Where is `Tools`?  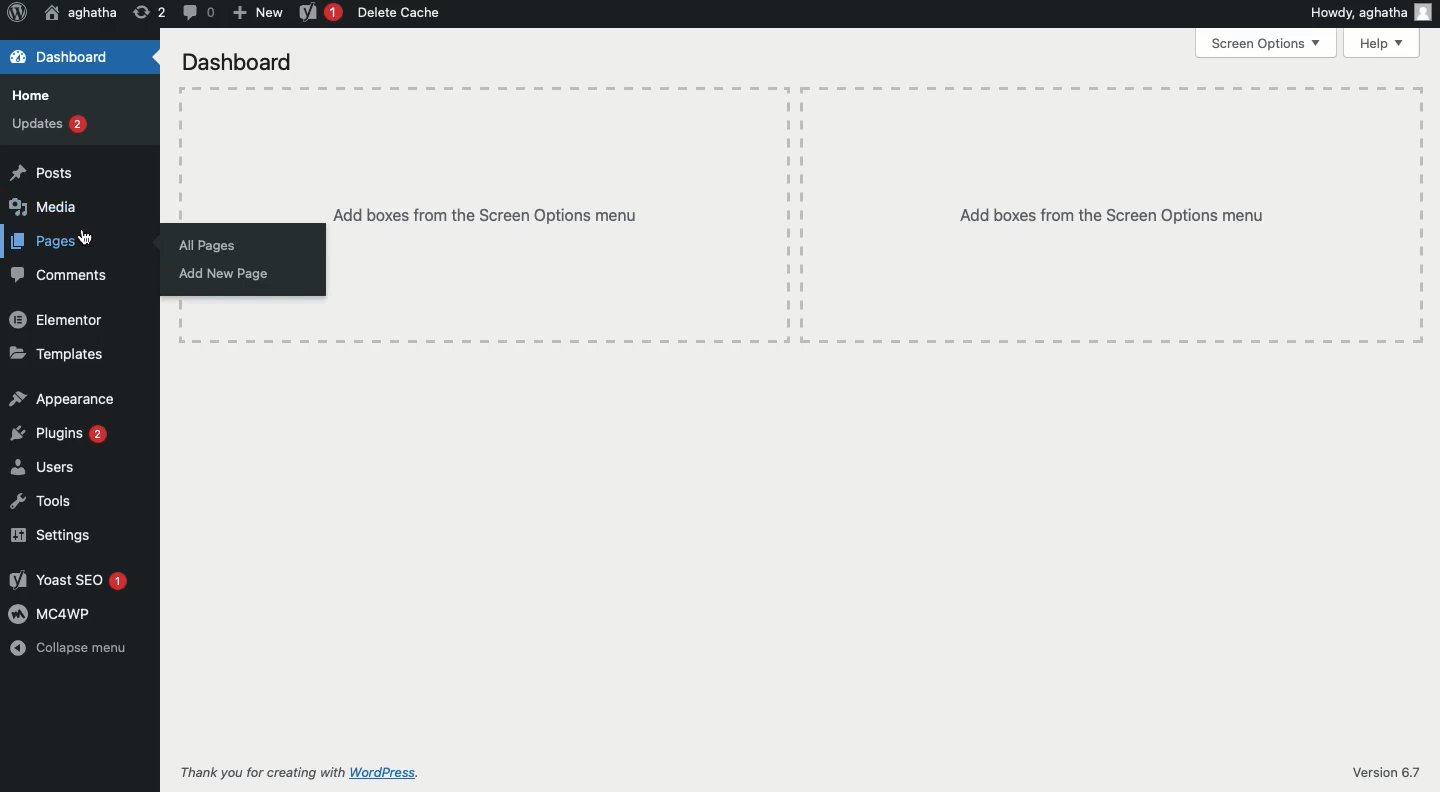
Tools is located at coordinates (39, 502).